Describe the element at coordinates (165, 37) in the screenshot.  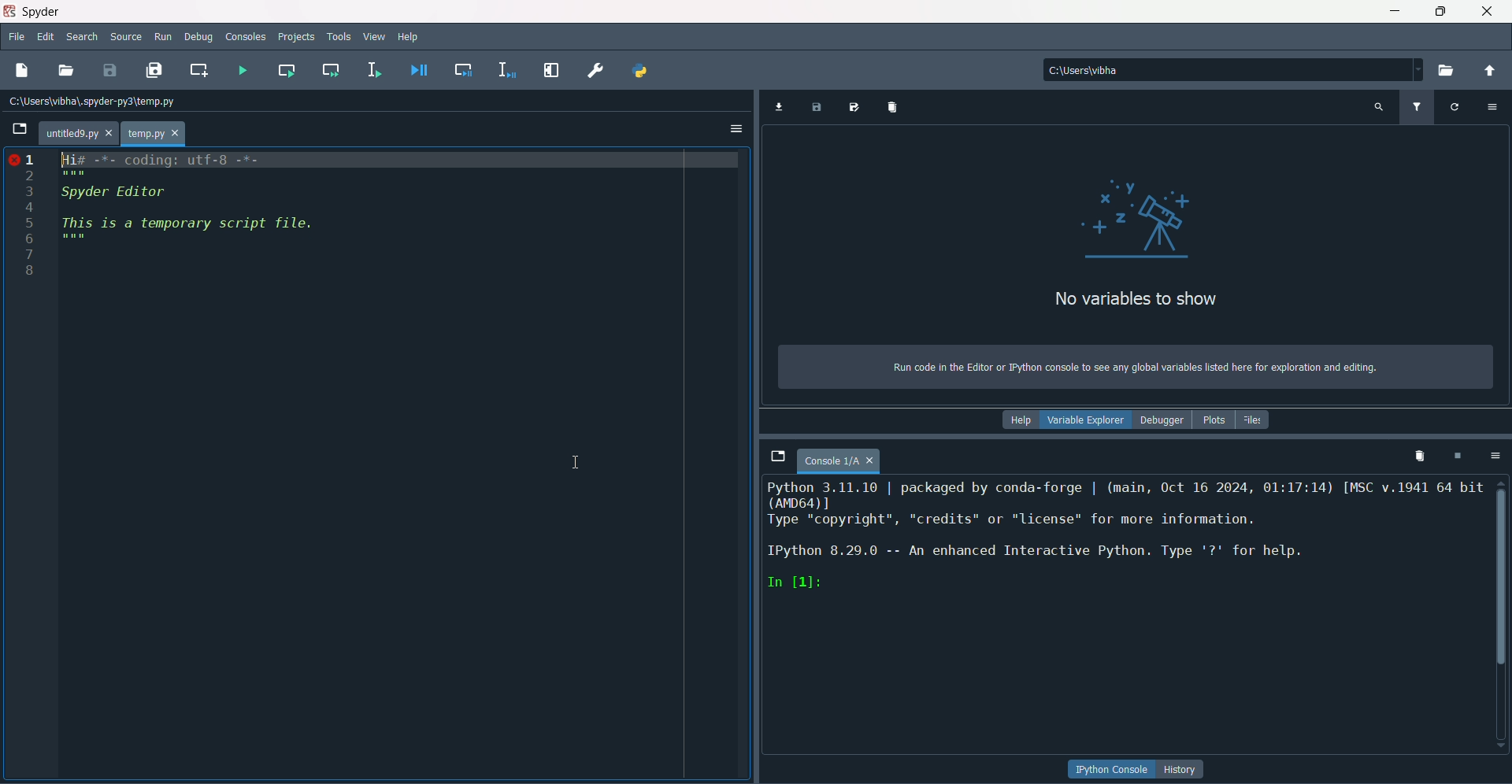
I see `run` at that location.